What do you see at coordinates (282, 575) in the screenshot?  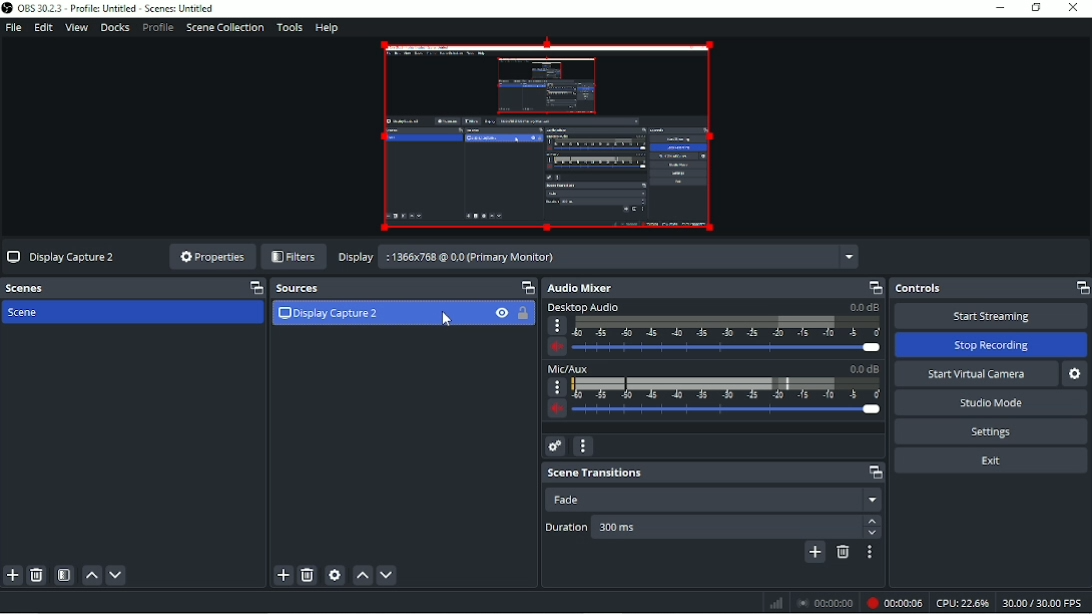 I see `Add source` at bounding box center [282, 575].